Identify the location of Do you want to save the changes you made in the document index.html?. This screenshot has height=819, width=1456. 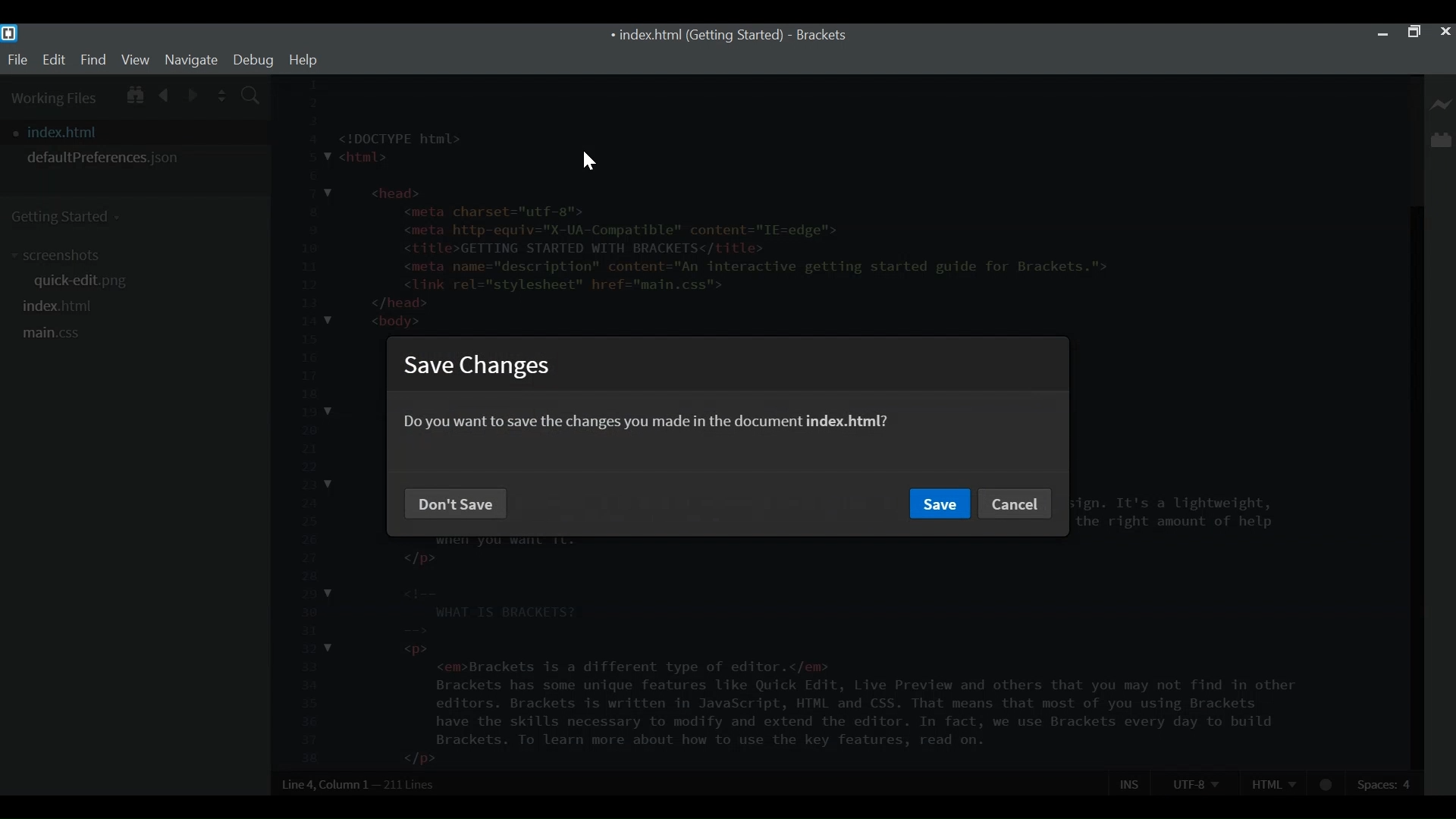
(648, 420).